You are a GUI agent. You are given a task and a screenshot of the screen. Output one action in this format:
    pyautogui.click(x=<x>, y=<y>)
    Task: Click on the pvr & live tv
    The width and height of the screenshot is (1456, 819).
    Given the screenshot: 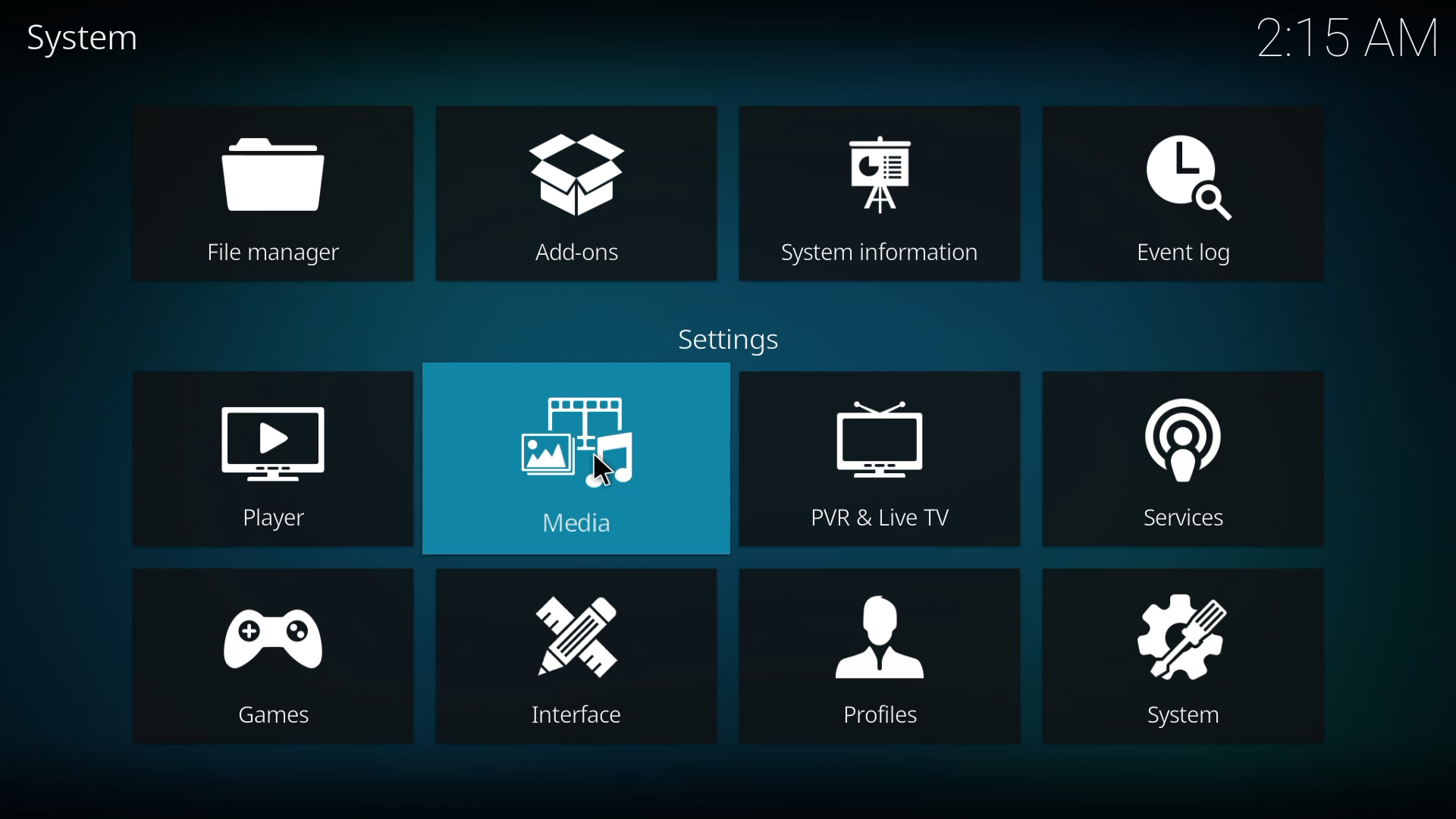 What is the action you would take?
    pyautogui.click(x=869, y=462)
    